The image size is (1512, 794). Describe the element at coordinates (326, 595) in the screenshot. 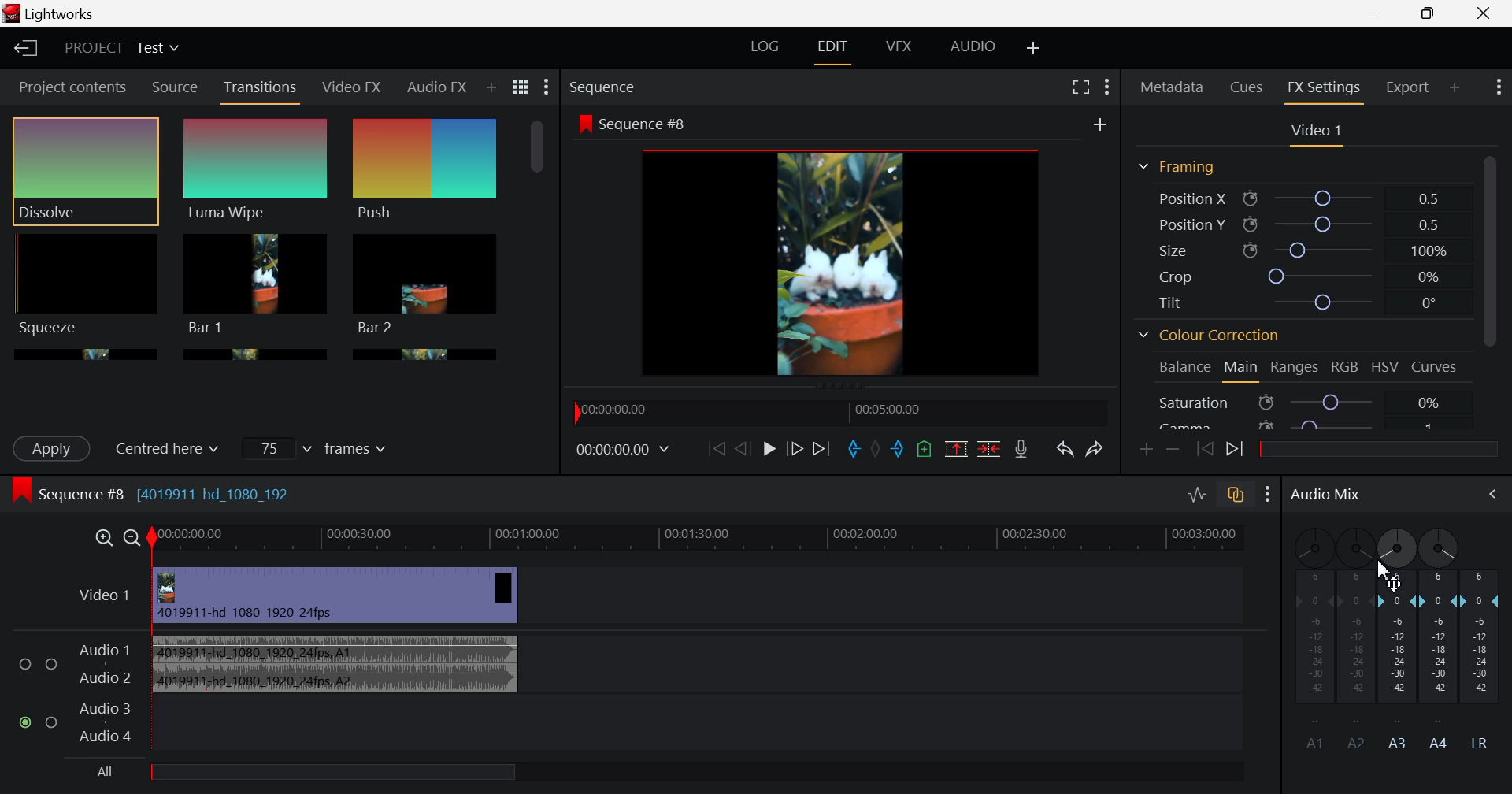

I see `Video Input` at that location.